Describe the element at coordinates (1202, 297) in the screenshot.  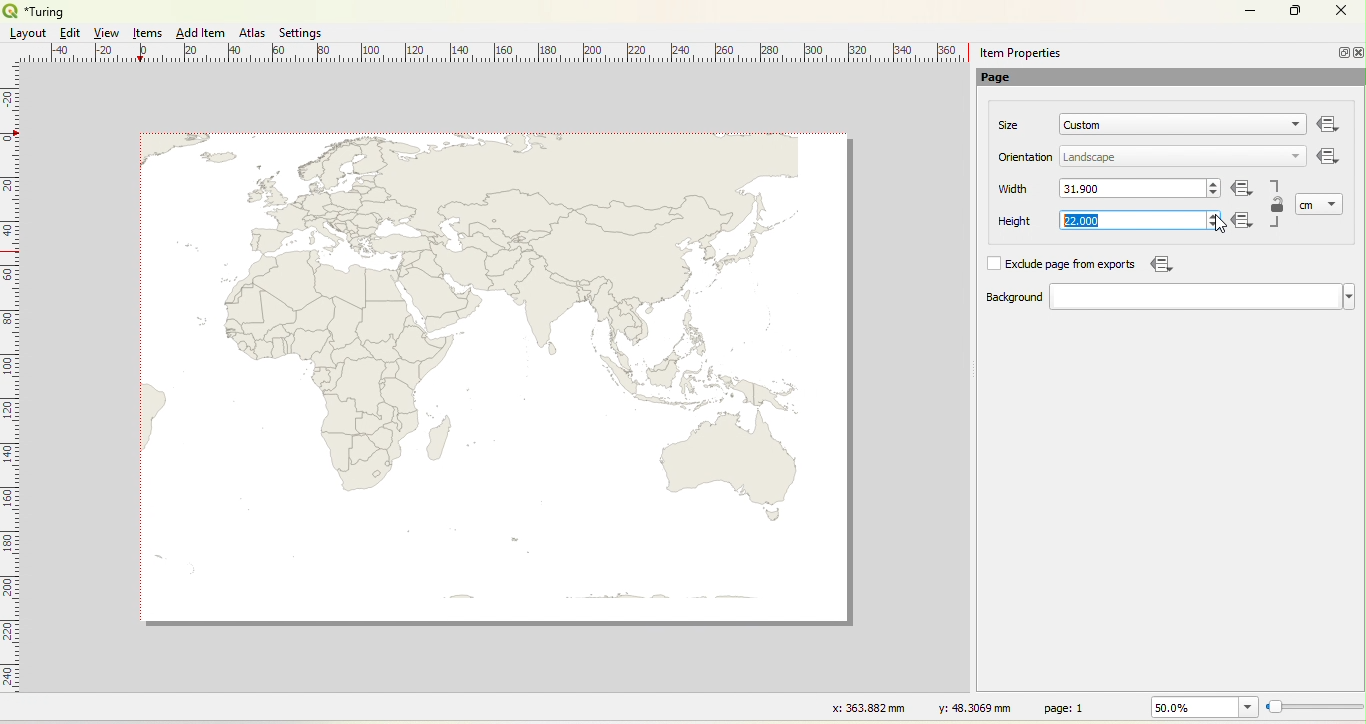
I see `dropdown` at that location.